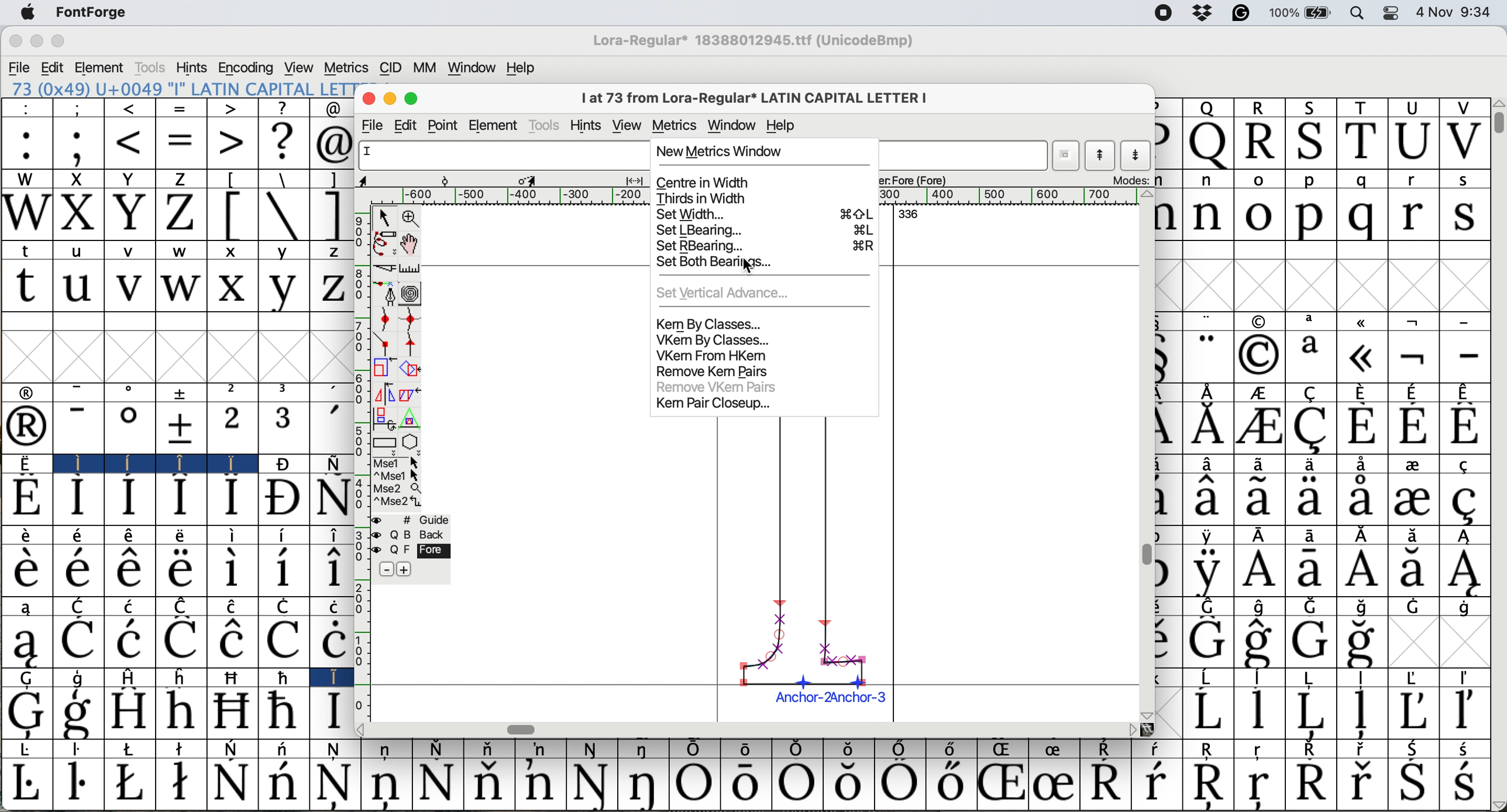 This screenshot has height=812, width=1507. Describe the element at coordinates (1312, 499) in the screenshot. I see `Symbol` at that location.